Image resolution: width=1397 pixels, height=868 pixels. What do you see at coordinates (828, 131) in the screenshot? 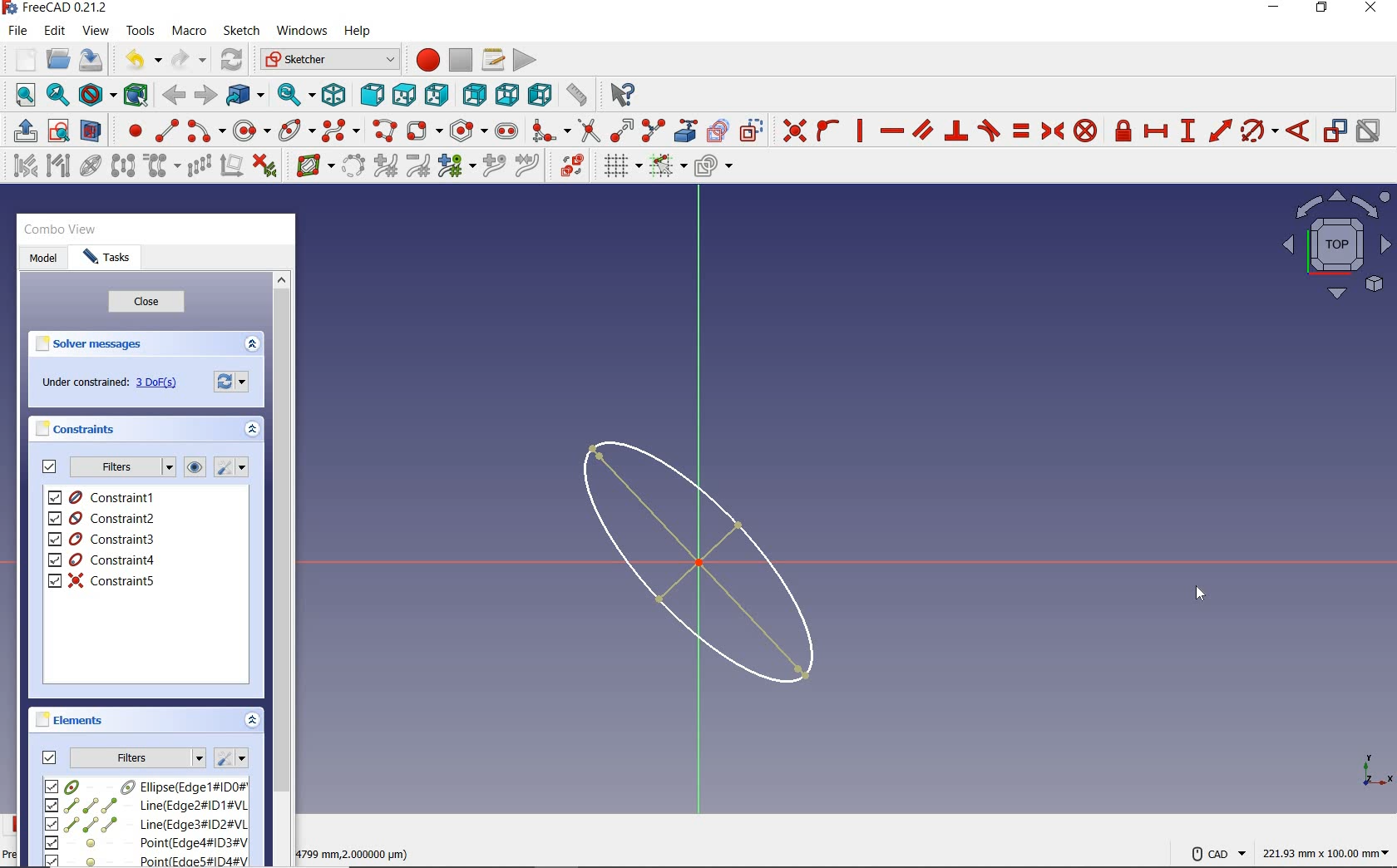
I see `constrain point onto object` at bounding box center [828, 131].